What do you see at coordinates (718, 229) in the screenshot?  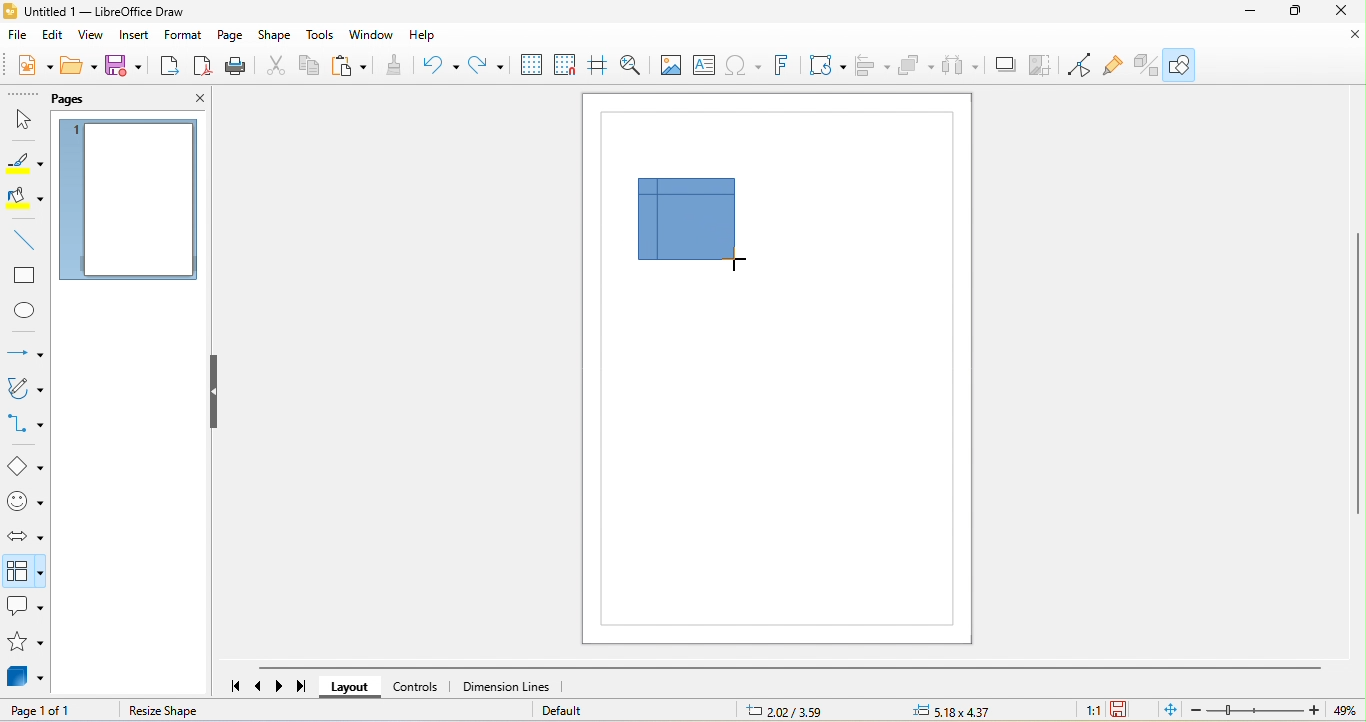 I see `flow chart dragged` at bounding box center [718, 229].